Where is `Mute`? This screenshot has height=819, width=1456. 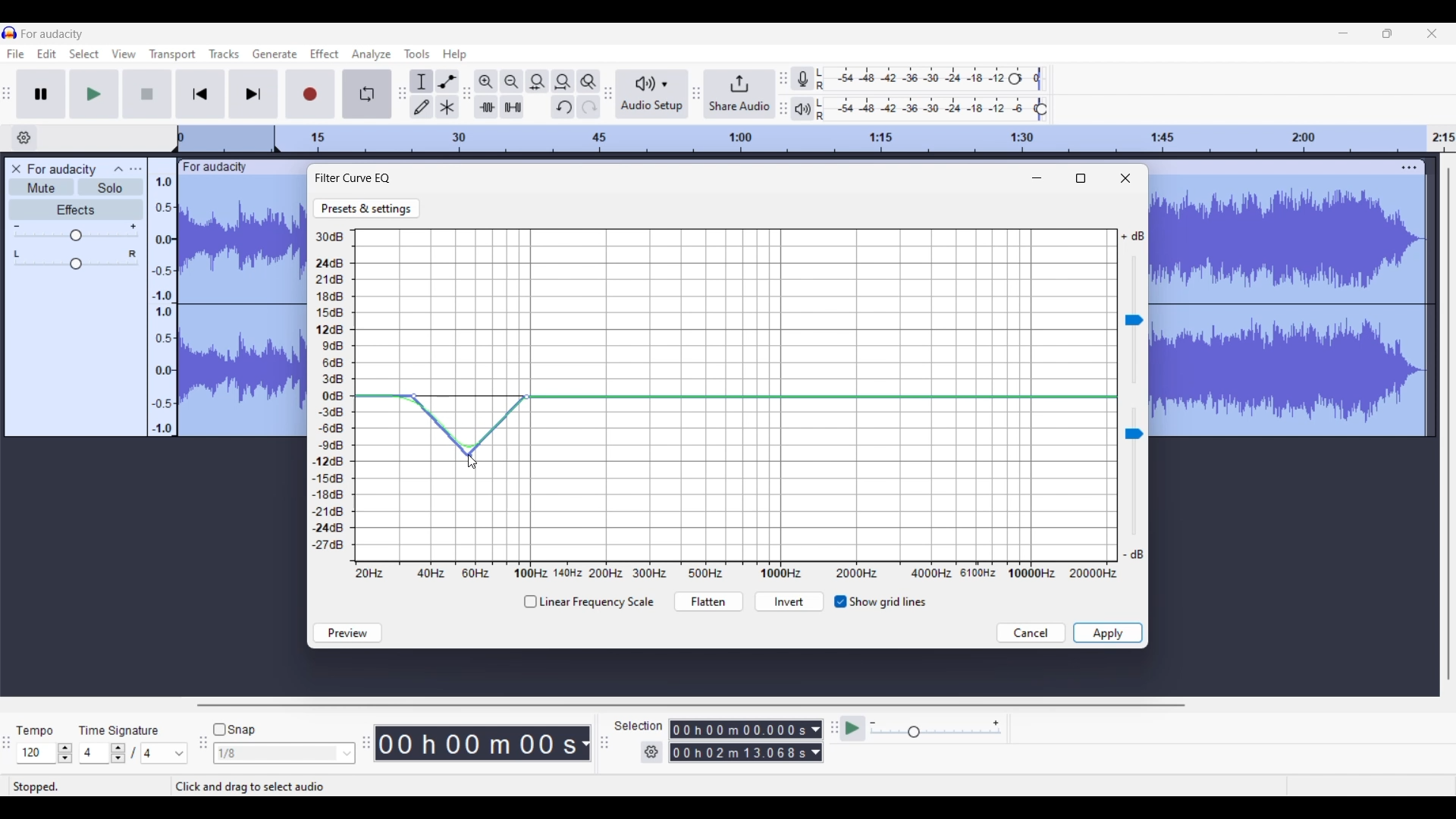 Mute is located at coordinates (41, 187).